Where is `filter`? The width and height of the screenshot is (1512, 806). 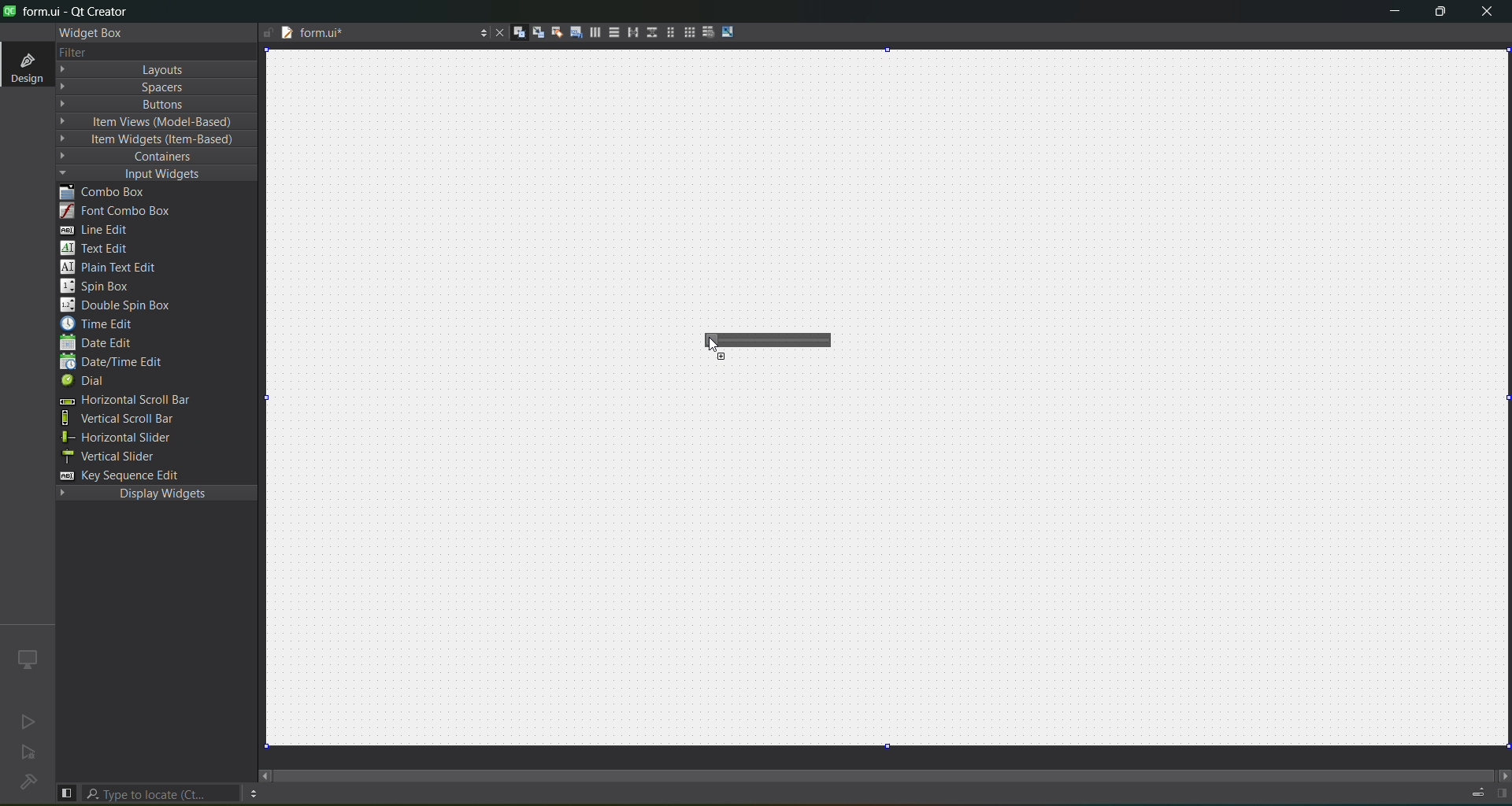
filter is located at coordinates (70, 52).